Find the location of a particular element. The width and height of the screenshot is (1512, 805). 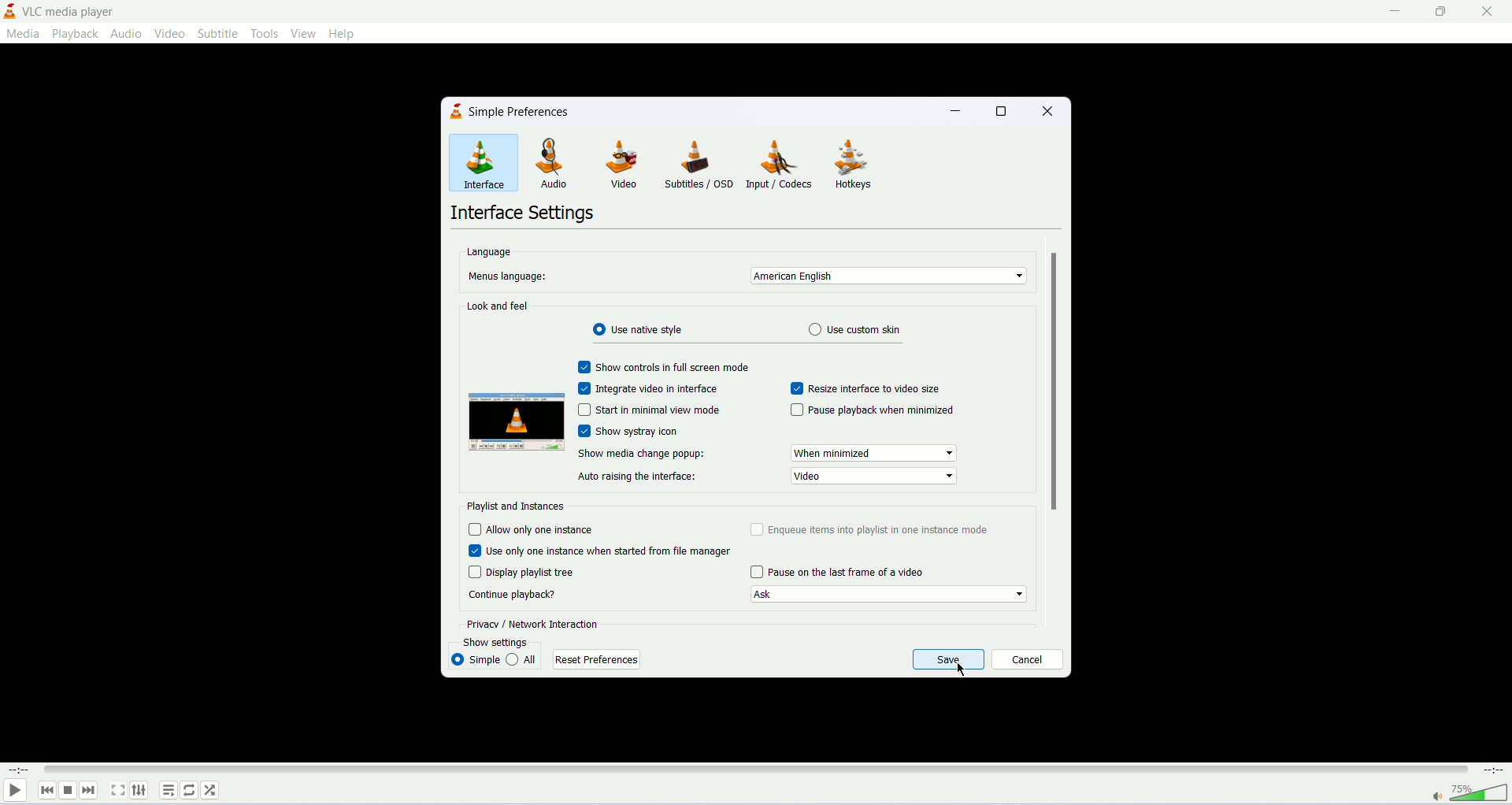

video is located at coordinates (874, 477).